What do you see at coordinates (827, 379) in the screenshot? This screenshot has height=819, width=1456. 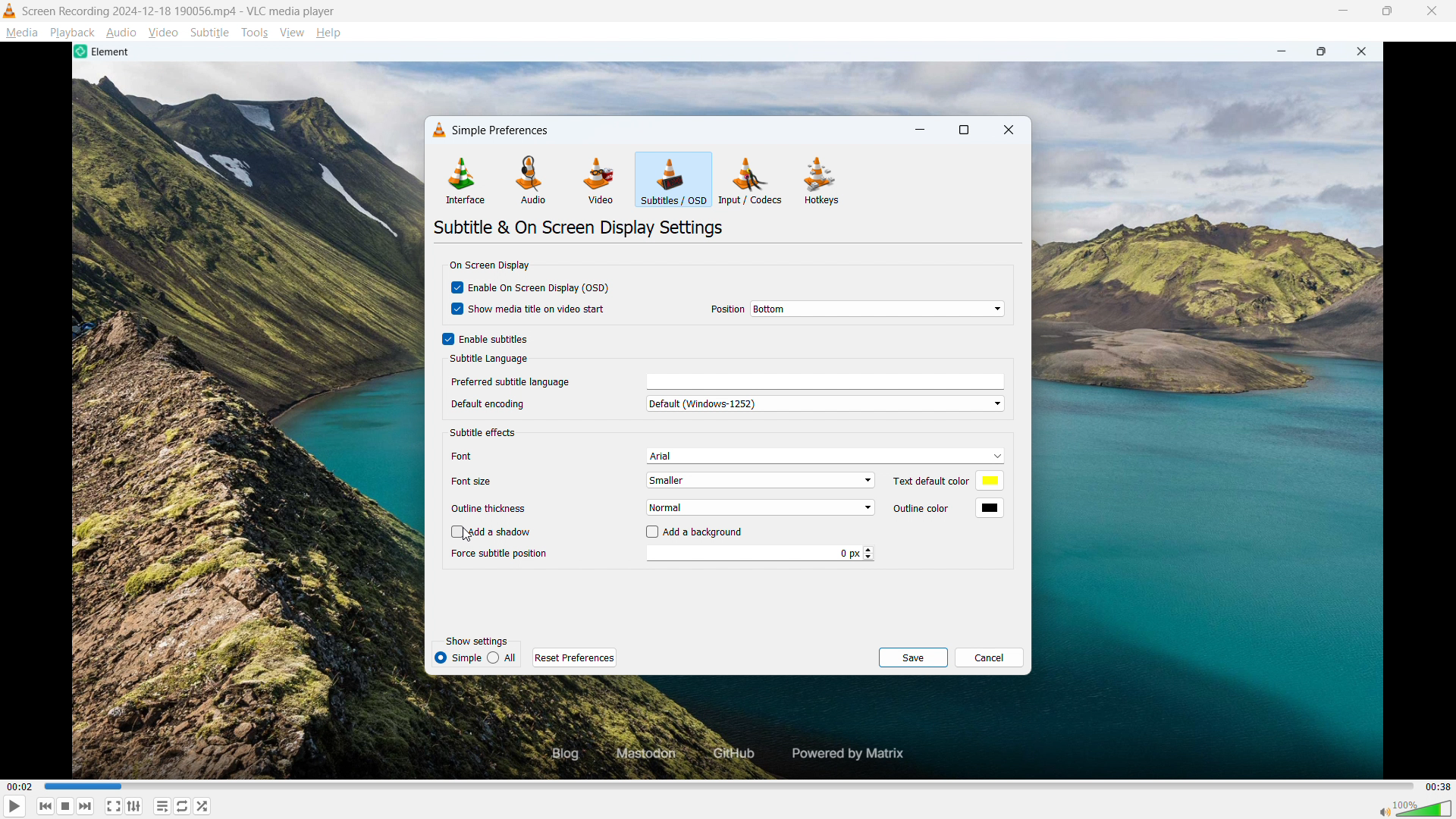 I see `languages` at bounding box center [827, 379].